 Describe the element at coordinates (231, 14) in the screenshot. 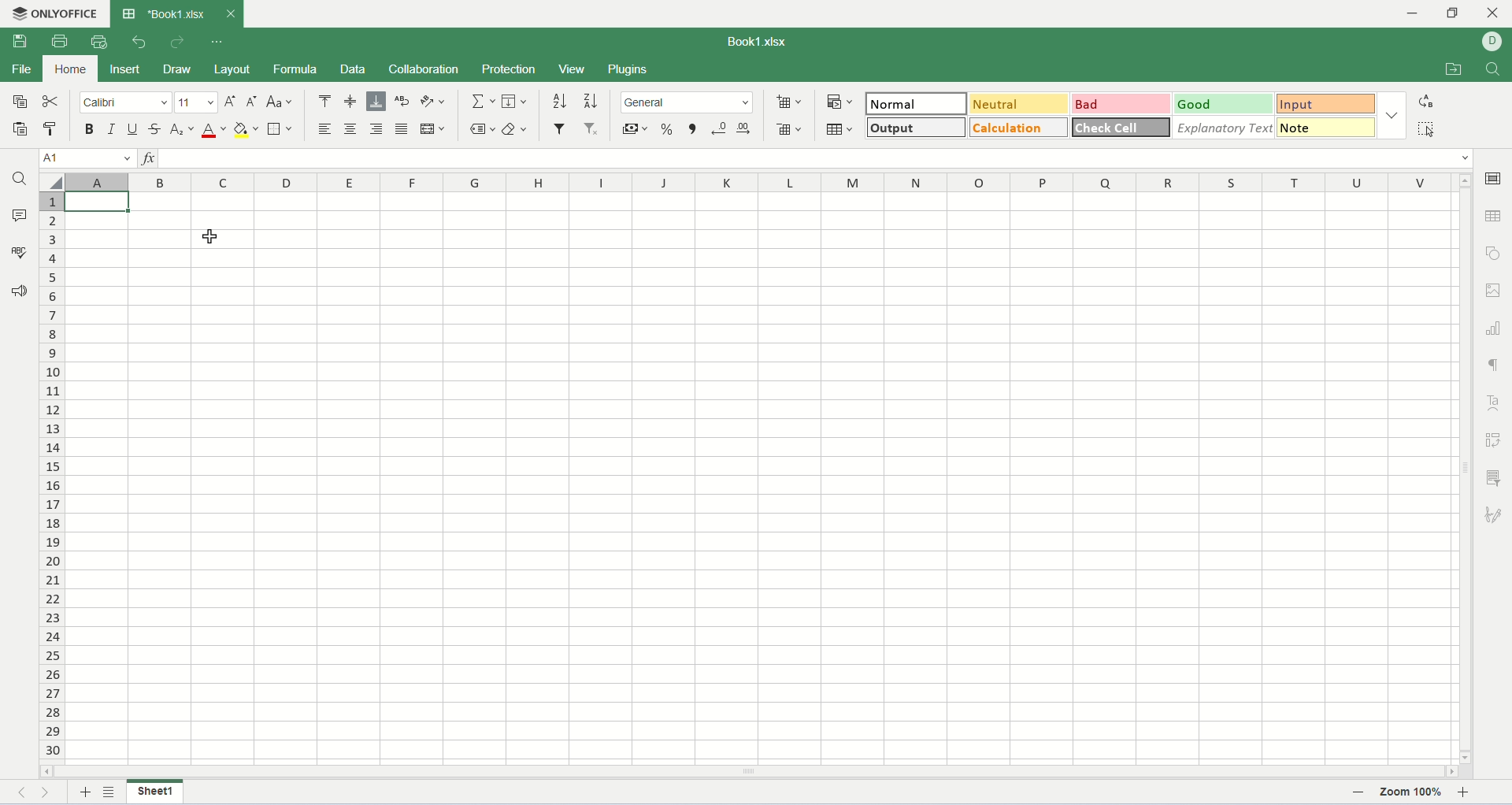

I see `close` at that location.